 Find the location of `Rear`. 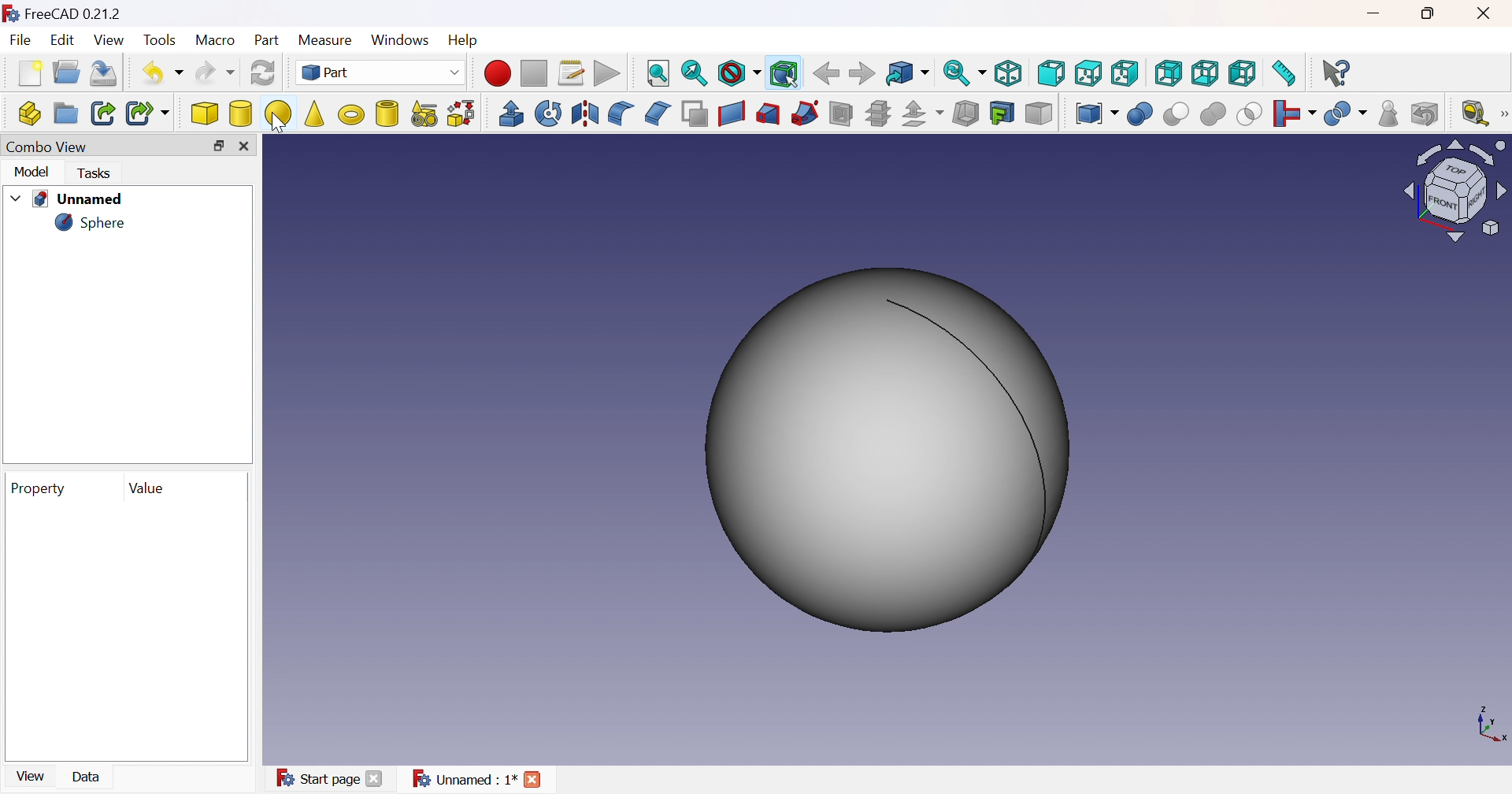

Rear is located at coordinates (1168, 74).